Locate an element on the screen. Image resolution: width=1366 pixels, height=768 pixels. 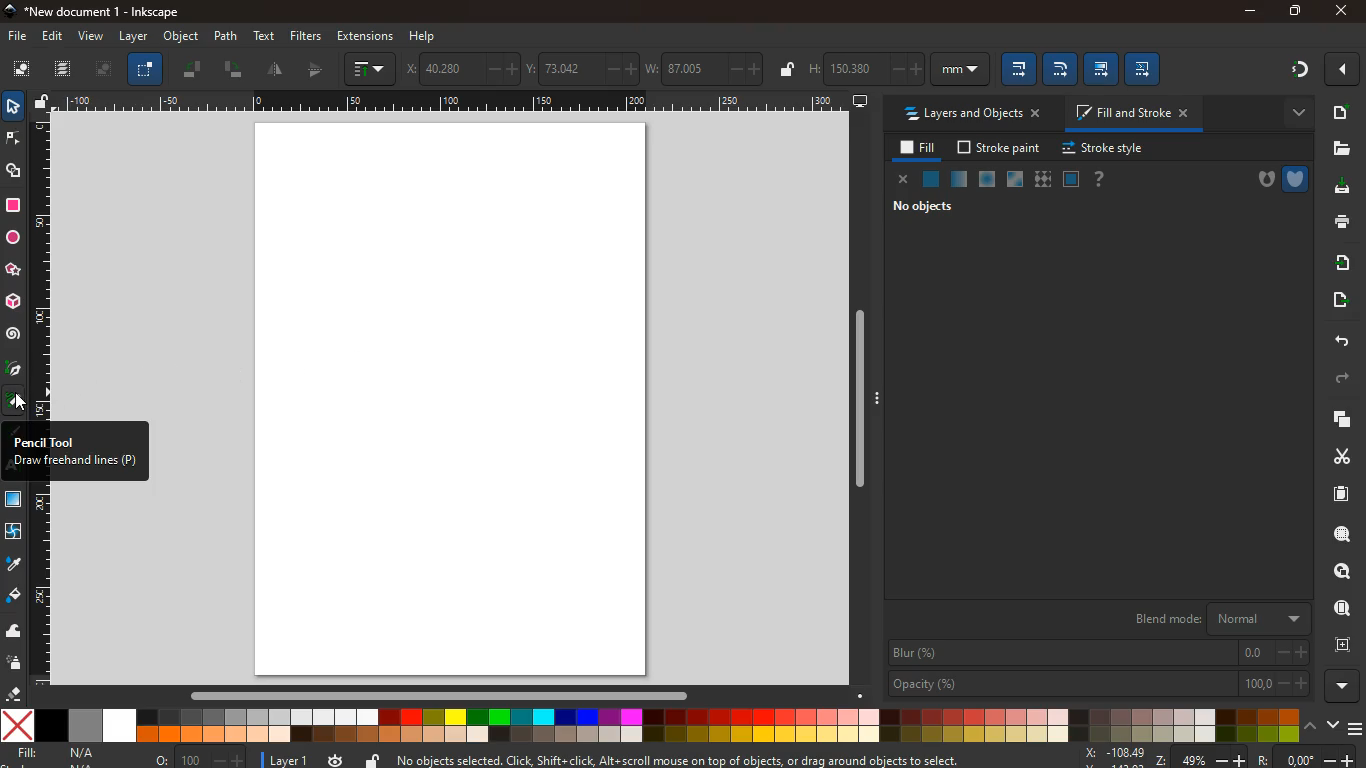
normal is located at coordinates (931, 179).